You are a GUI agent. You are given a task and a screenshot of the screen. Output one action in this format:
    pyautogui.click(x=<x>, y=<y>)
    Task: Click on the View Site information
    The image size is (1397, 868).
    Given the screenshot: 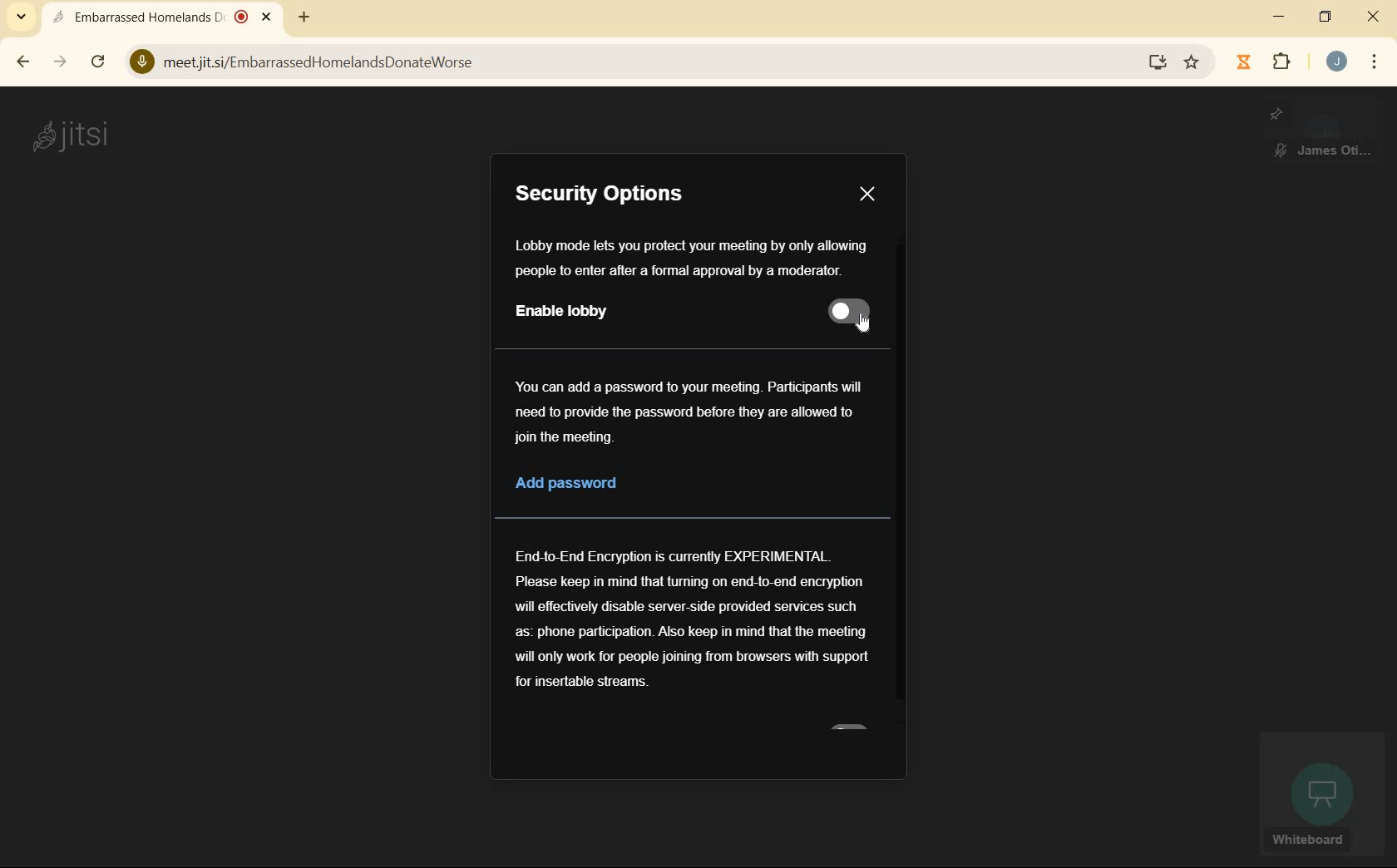 What is the action you would take?
    pyautogui.click(x=141, y=62)
    